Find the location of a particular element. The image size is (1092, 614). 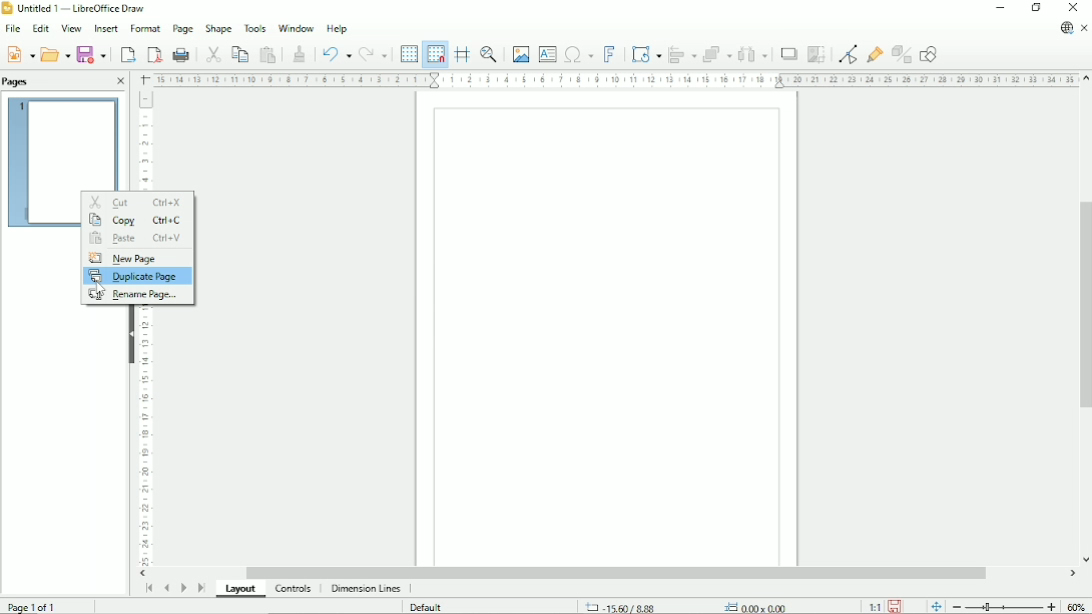

Scroll to first page is located at coordinates (148, 588).